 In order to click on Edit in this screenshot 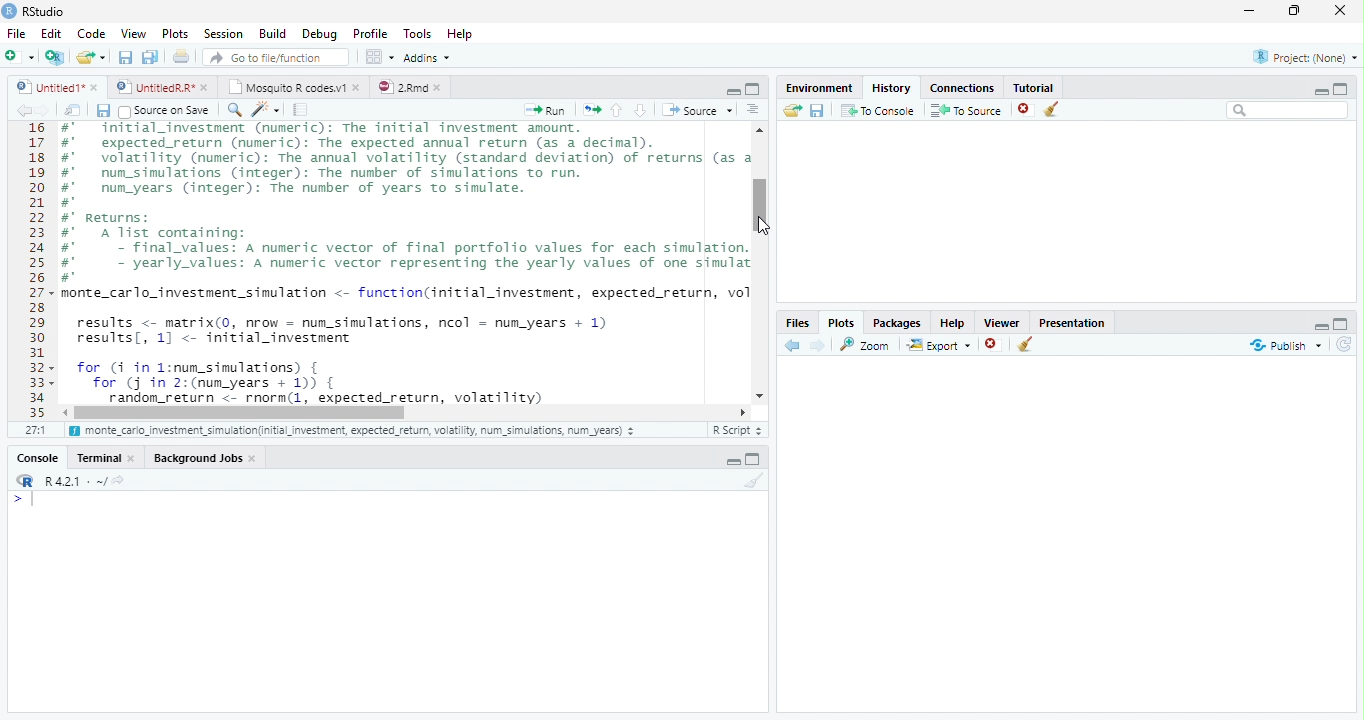, I will do `click(50, 32)`.